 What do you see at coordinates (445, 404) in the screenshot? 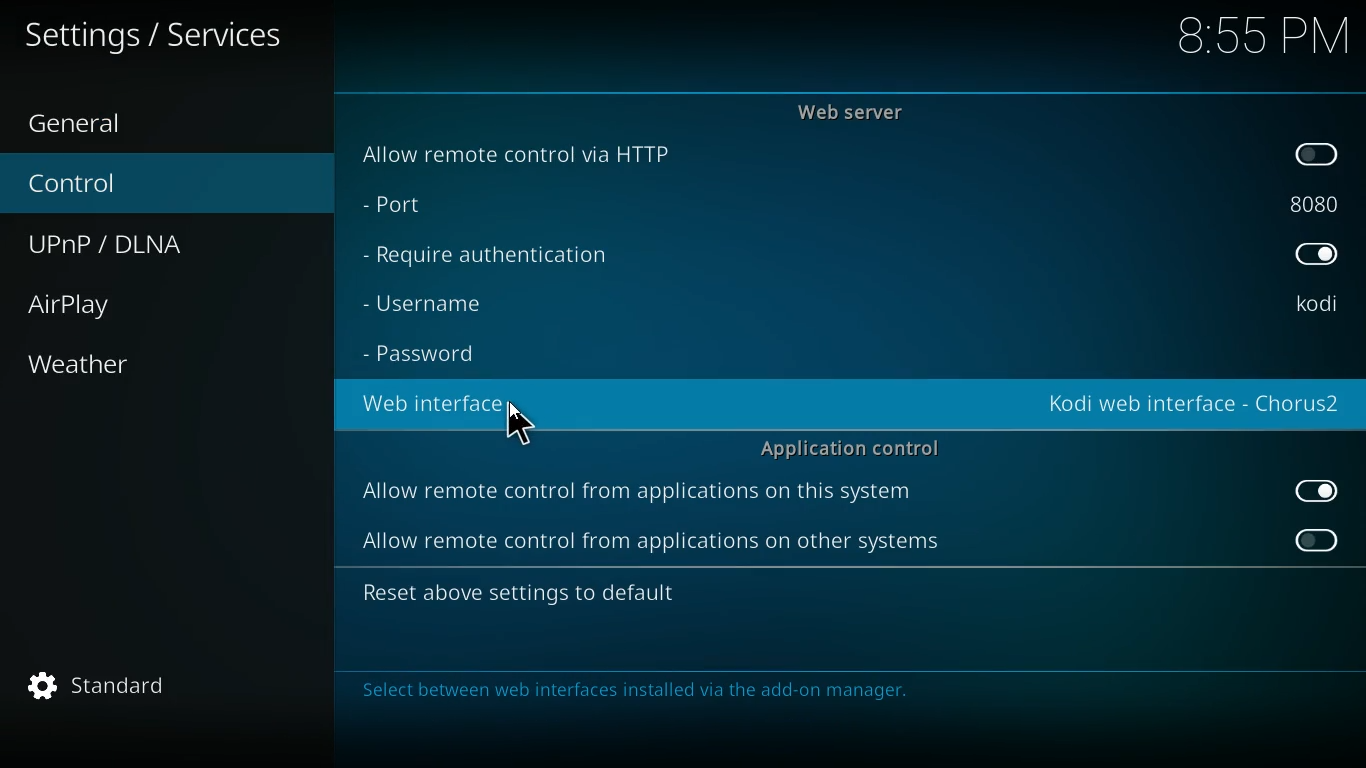
I see `web interface` at bounding box center [445, 404].